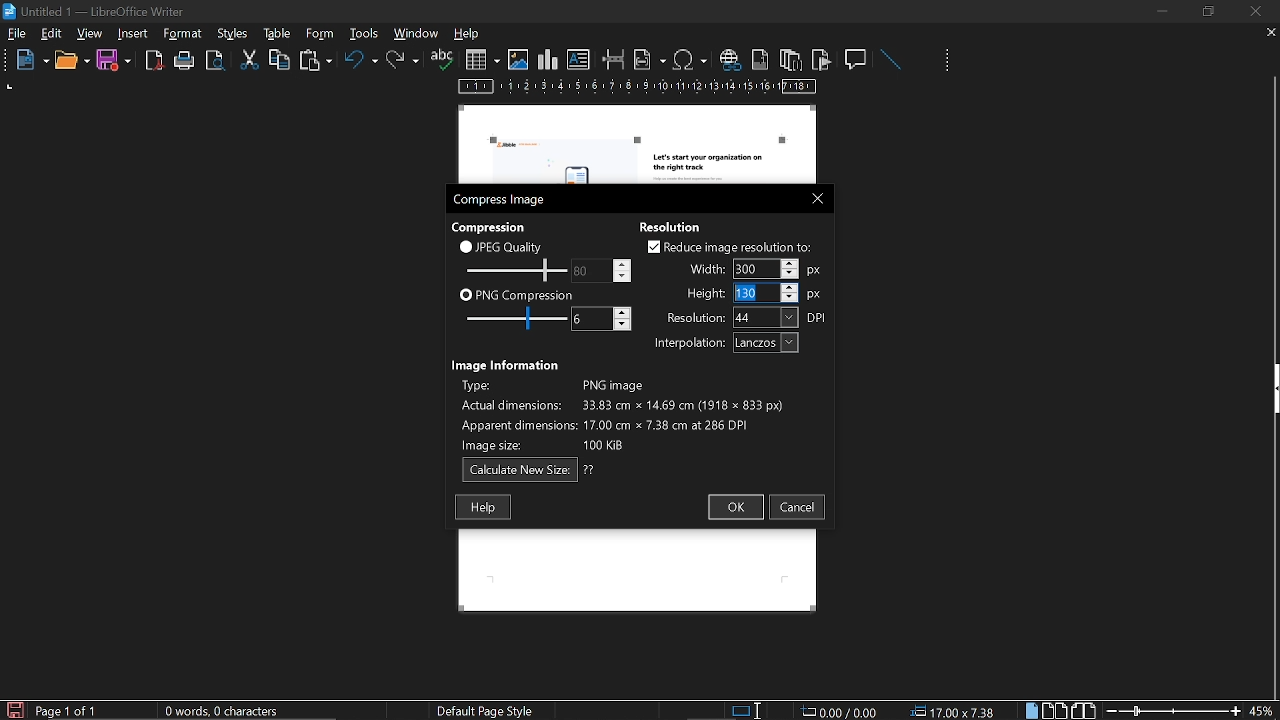 This screenshot has height=720, width=1280. Describe the element at coordinates (548, 60) in the screenshot. I see `insert chart` at that location.